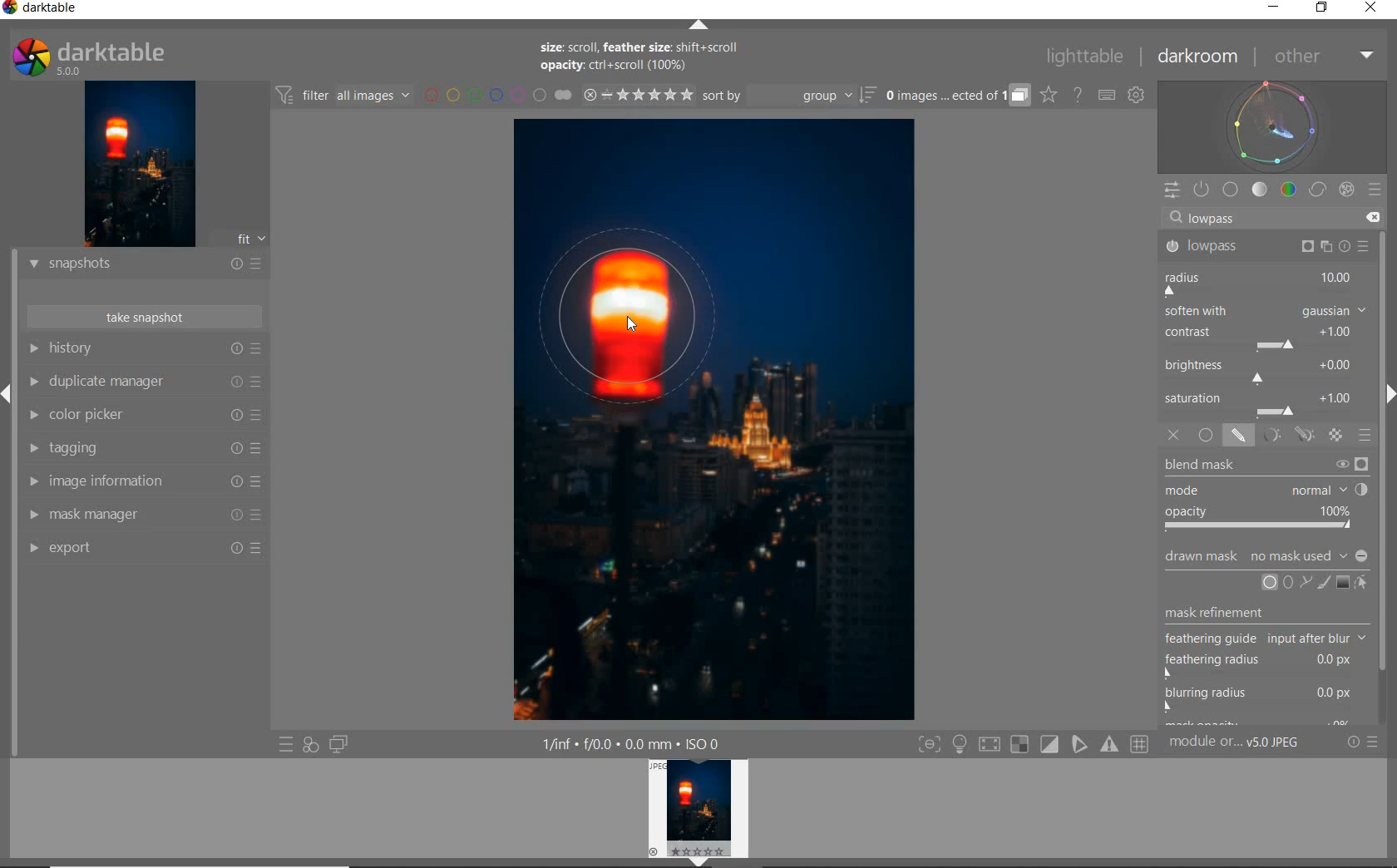 The width and height of the screenshot is (1397, 868). Describe the element at coordinates (1323, 57) in the screenshot. I see `OTHER` at that location.